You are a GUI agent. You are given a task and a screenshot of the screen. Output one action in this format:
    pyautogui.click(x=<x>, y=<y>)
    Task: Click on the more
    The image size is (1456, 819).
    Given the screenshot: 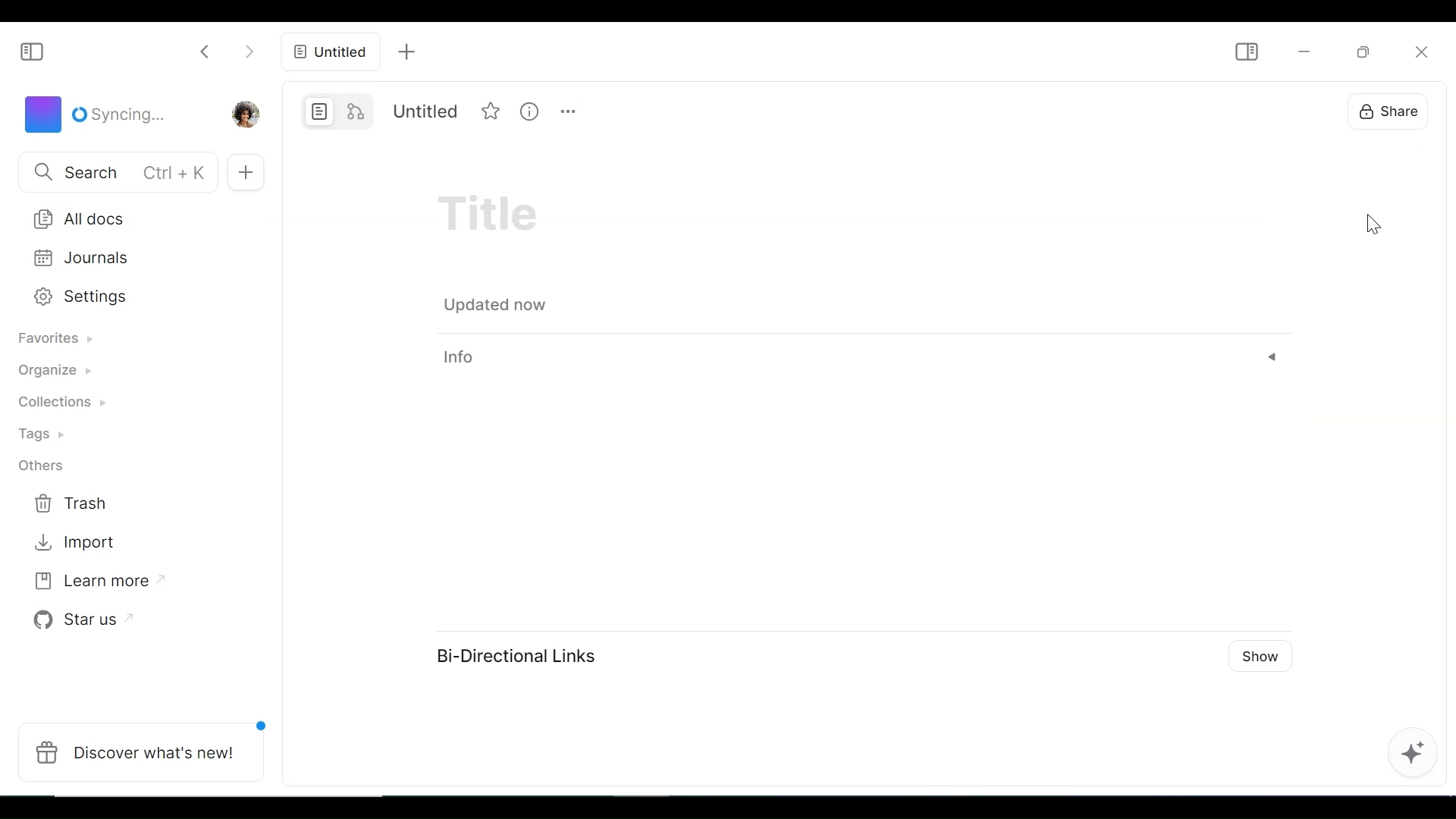 What is the action you would take?
    pyautogui.click(x=570, y=110)
    